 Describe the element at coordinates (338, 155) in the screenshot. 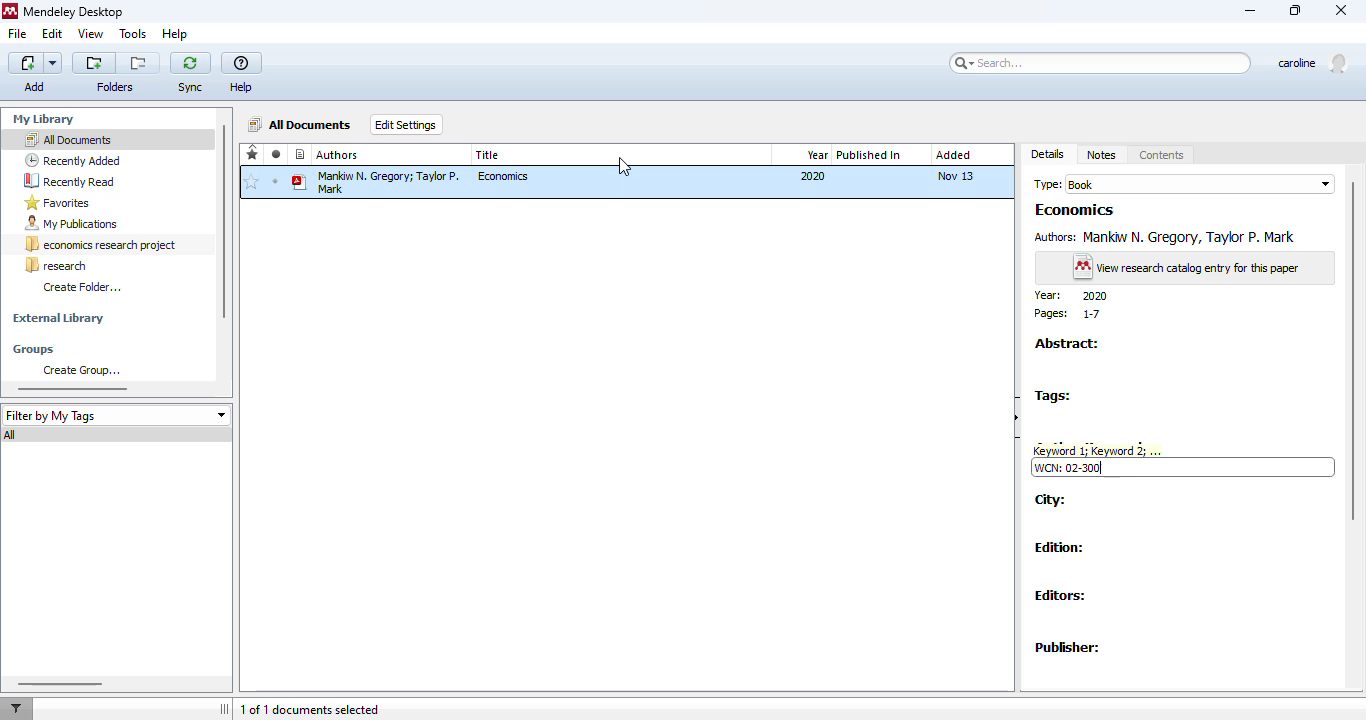

I see `authors` at that location.